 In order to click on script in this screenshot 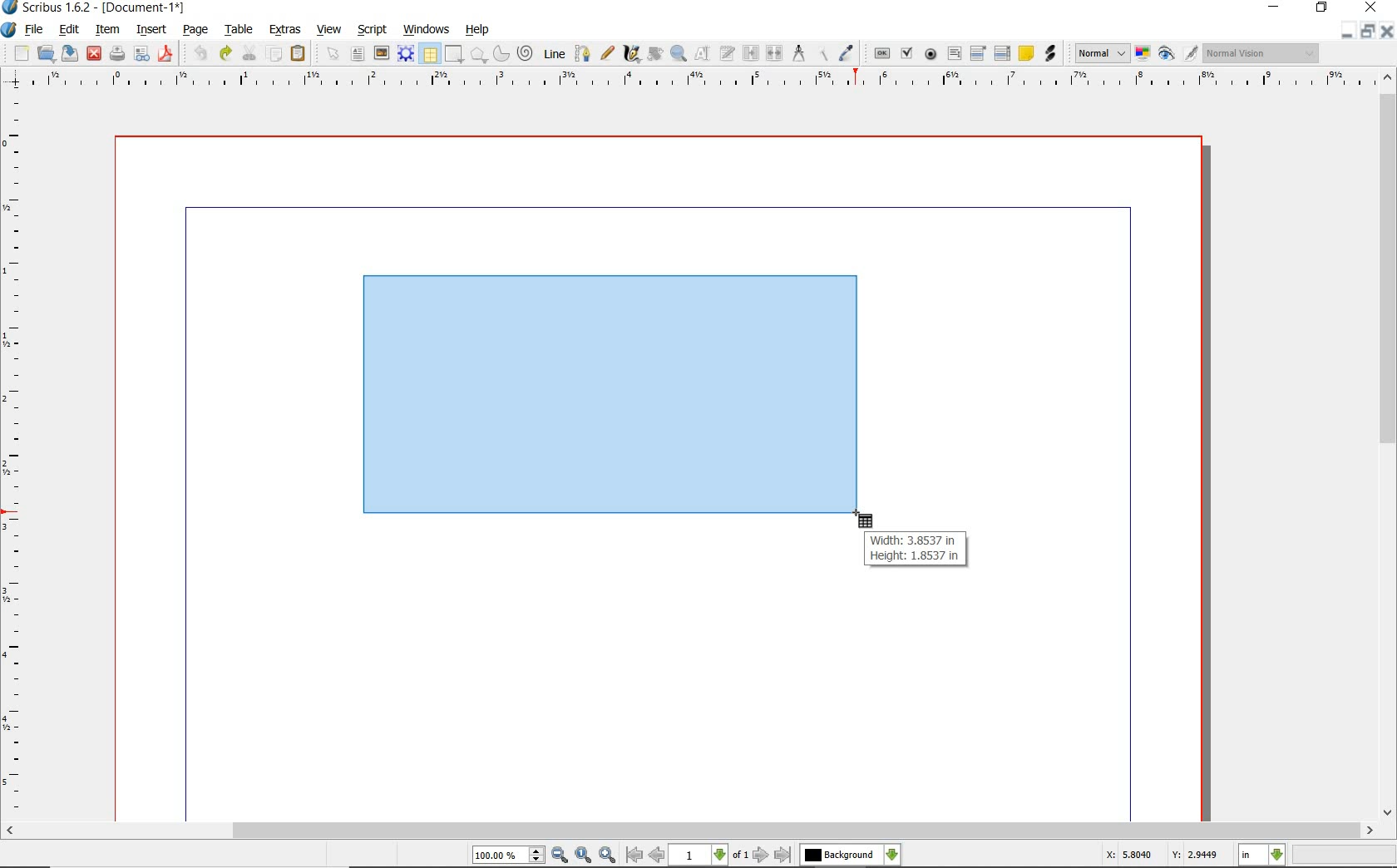, I will do `click(373, 30)`.